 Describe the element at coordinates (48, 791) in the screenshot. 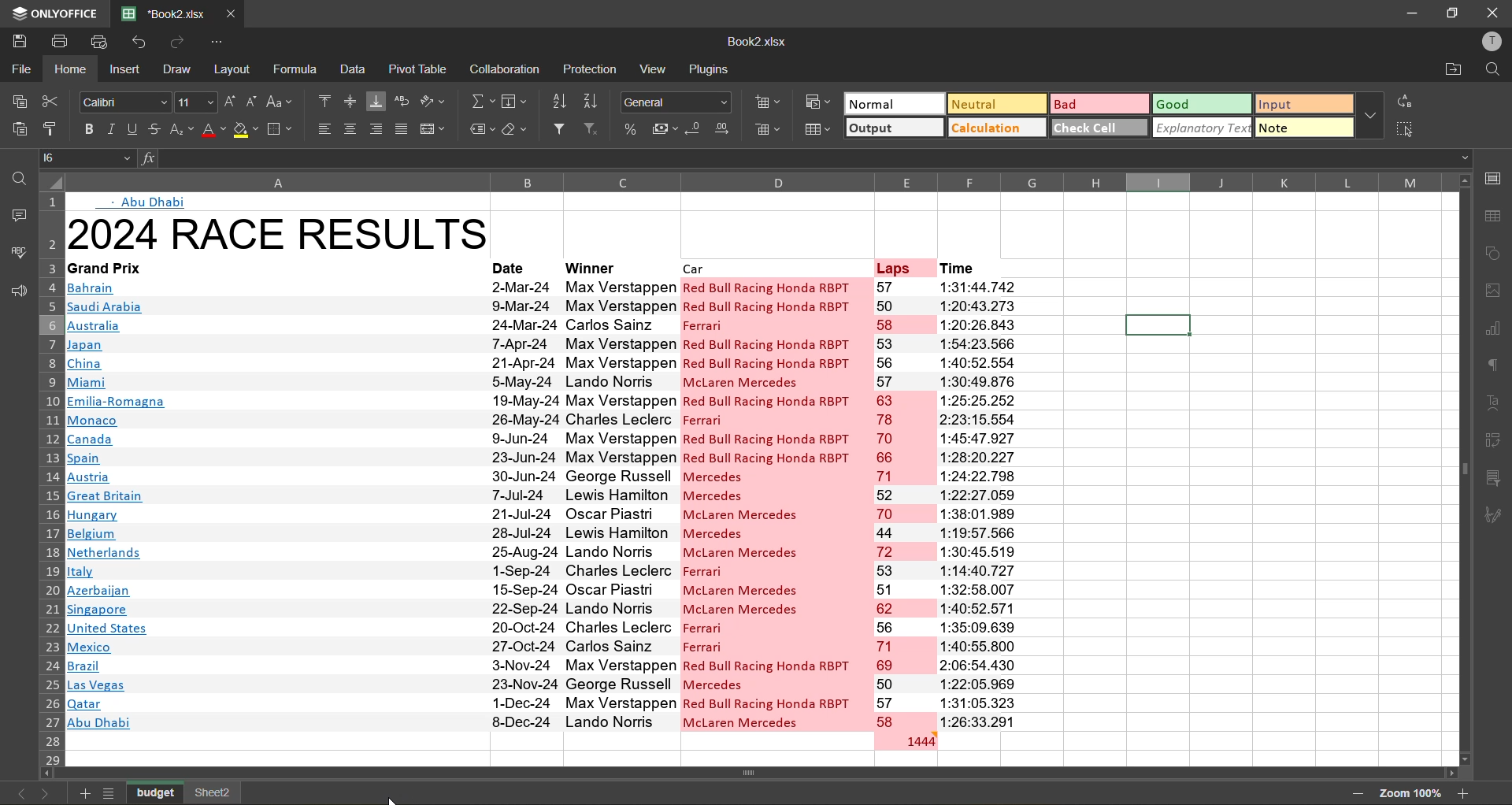

I see `next` at that location.